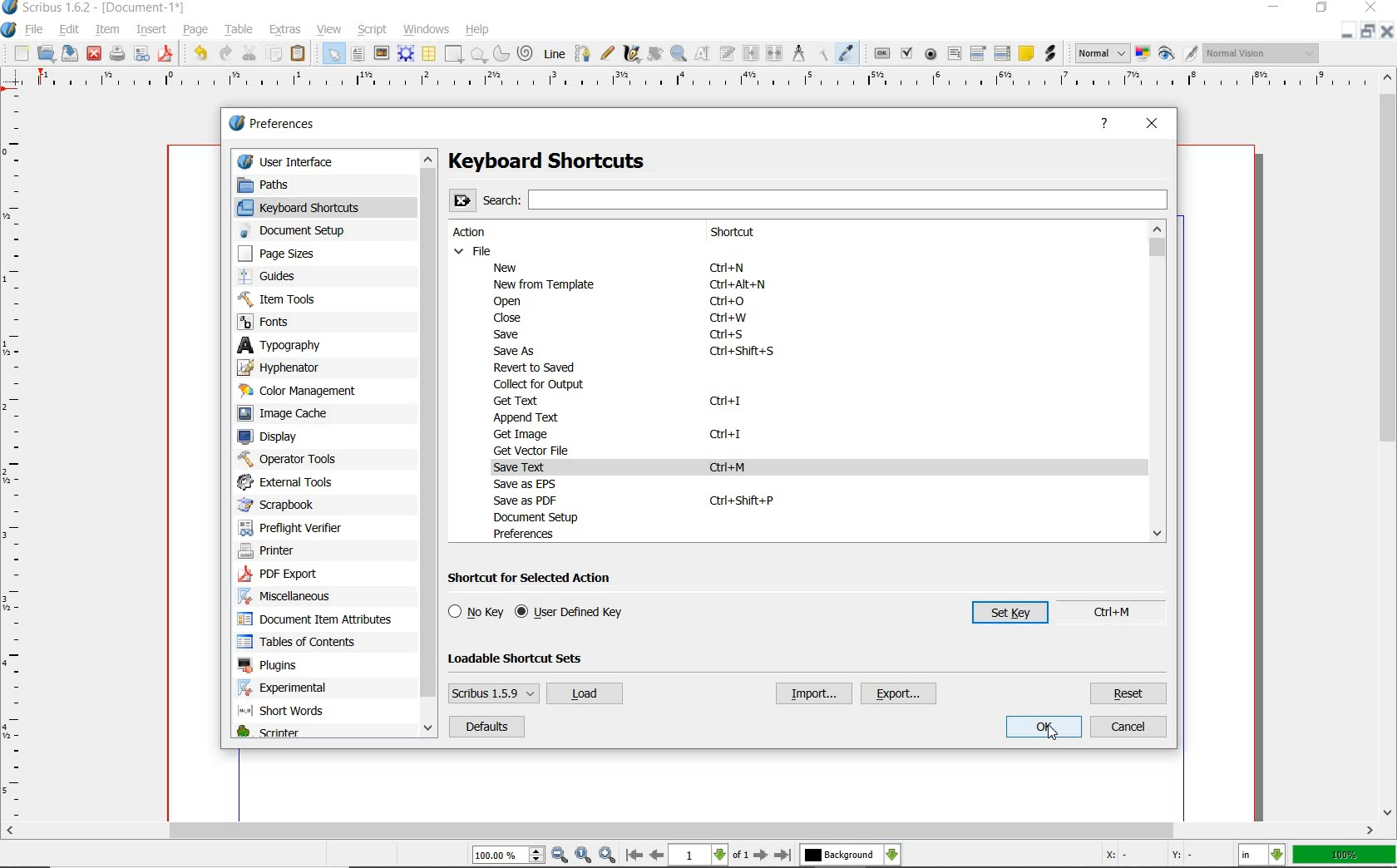 Image resolution: width=1397 pixels, height=868 pixels. What do you see at coordinates (519, 401) in the screenshot?
I see `get text` at bounding box center [519, 401].